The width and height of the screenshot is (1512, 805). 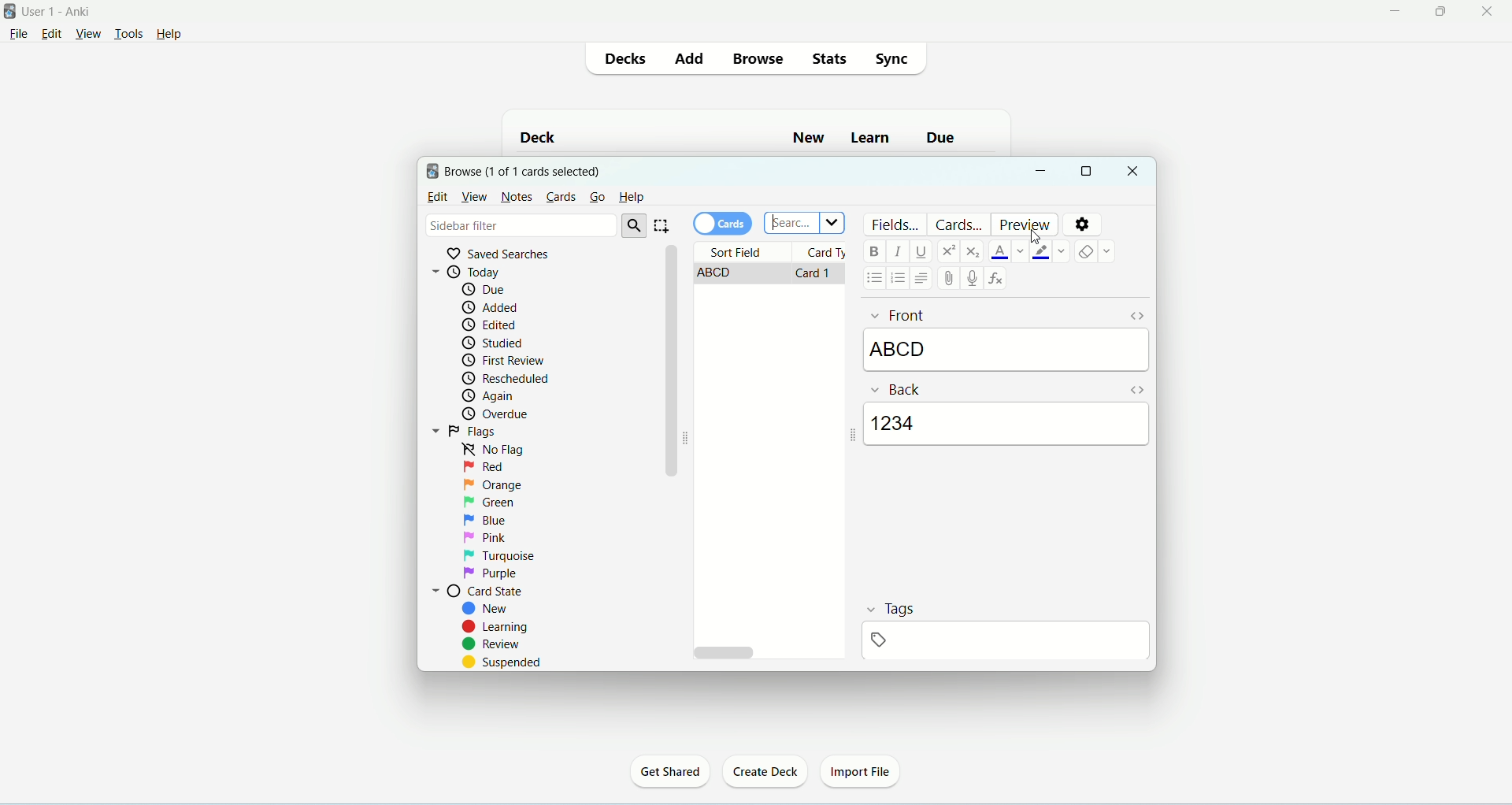 What do you see at coordinates (998, 280) in the screenshot?
I see `equation` at bounding box center [998, 280].